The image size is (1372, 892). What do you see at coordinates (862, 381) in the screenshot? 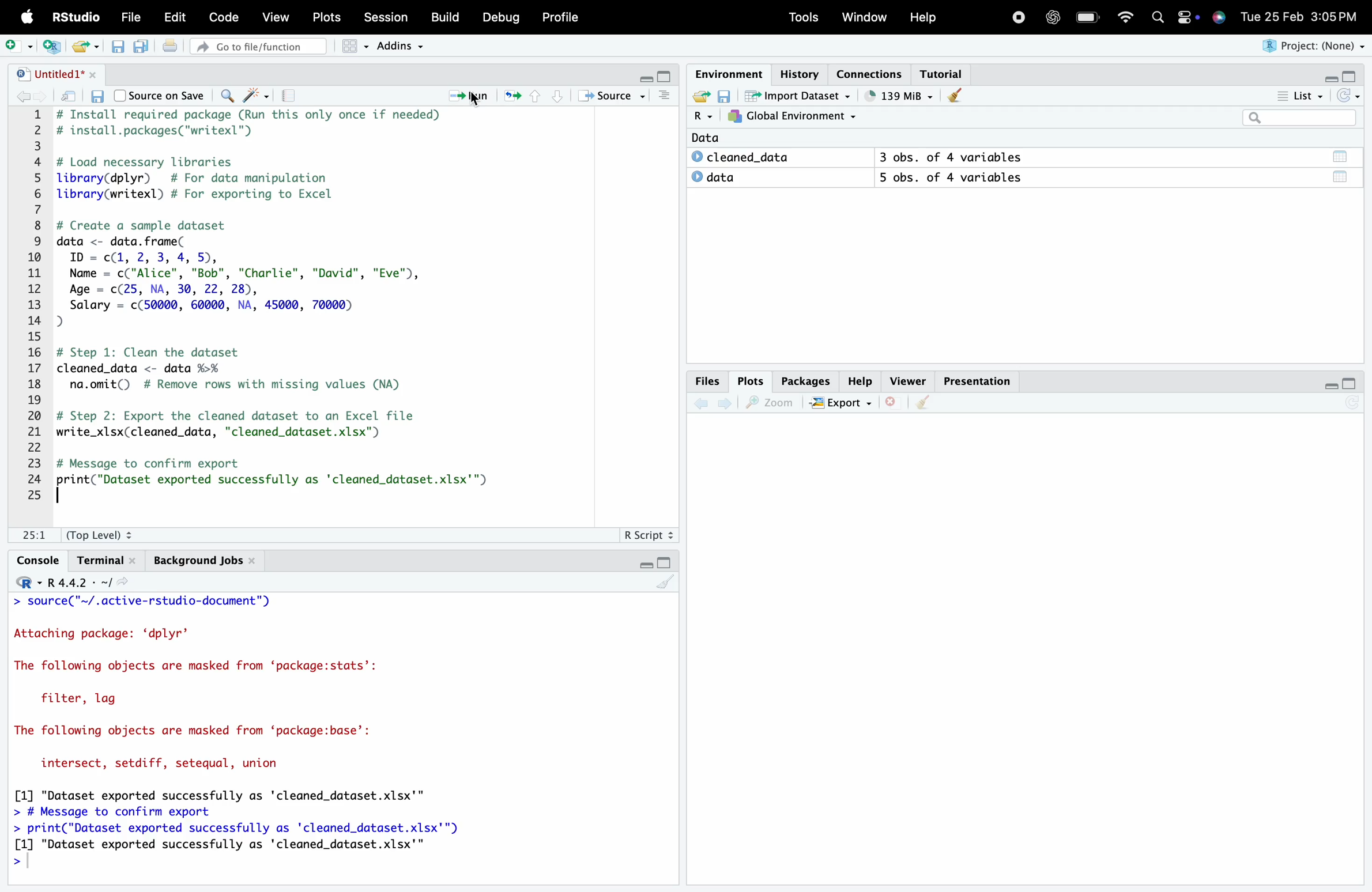
I see `Help` at bounding box center [862, 381].